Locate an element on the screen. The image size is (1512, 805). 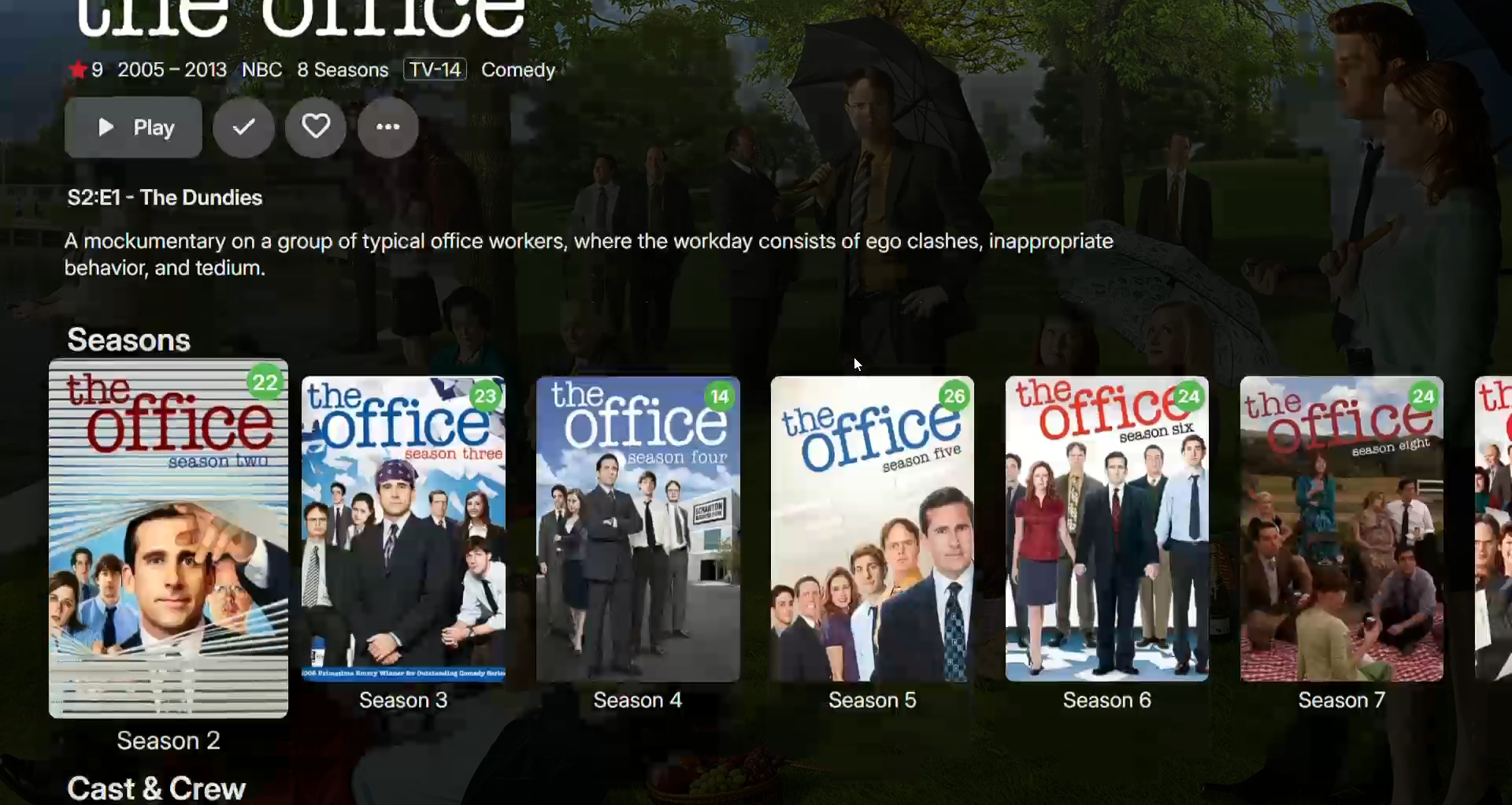
Season 7 is located at coordinates (1337, 542).